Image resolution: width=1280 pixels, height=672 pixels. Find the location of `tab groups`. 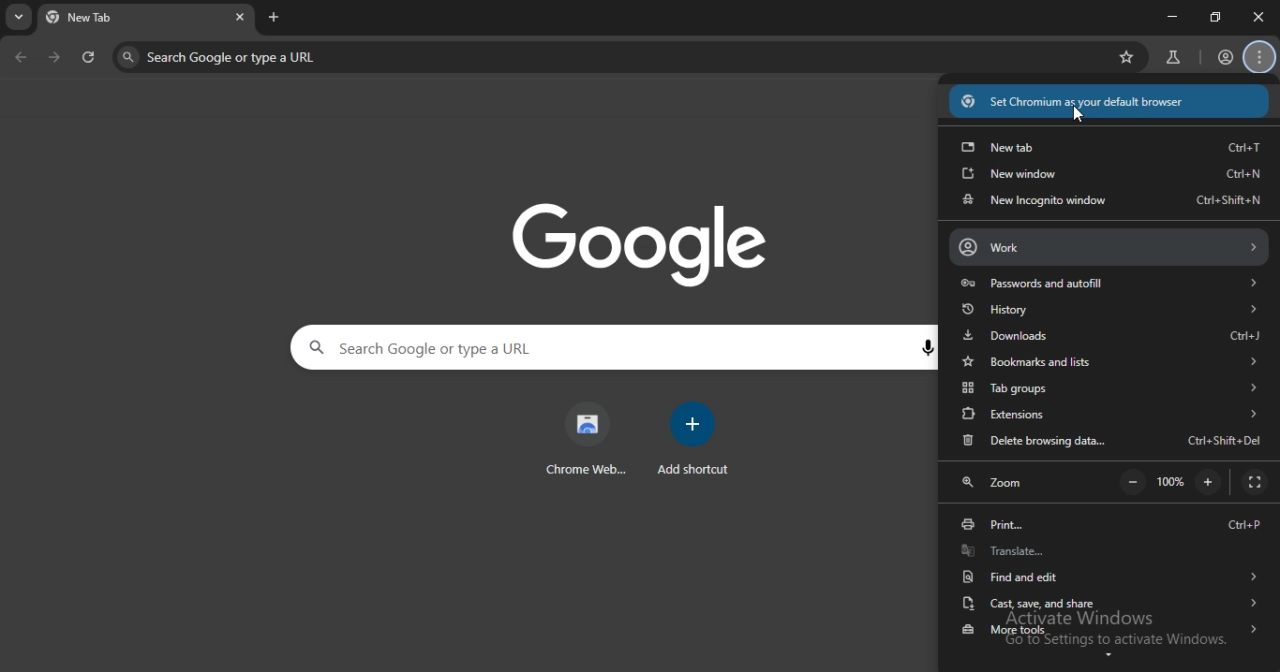

tab groups is located at coordinates (1111, 388).